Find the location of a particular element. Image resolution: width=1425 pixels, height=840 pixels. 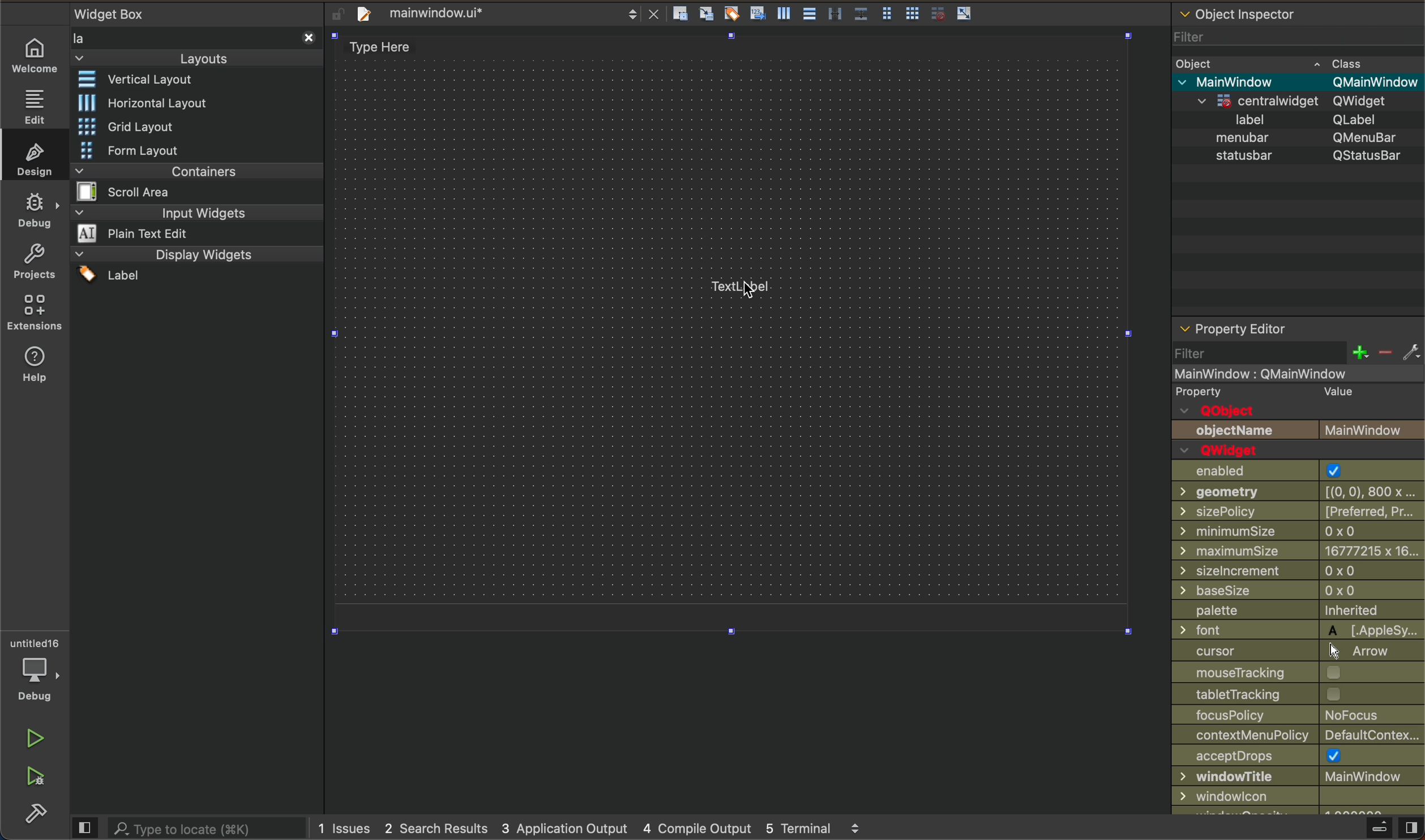

close is located at coordinates (303, 32).